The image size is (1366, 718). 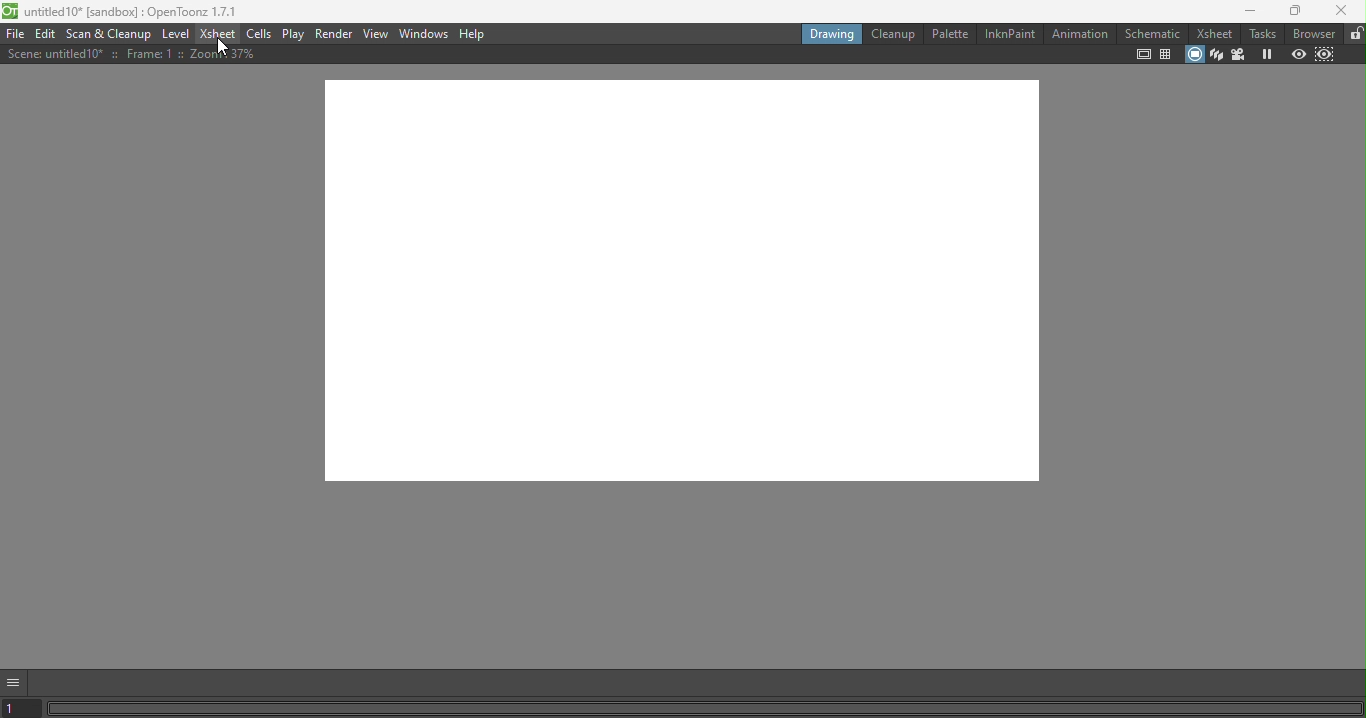 What do you see at coordinates (15, 35) in the screenshot?
I see `File` at bounding box center [15, 35].